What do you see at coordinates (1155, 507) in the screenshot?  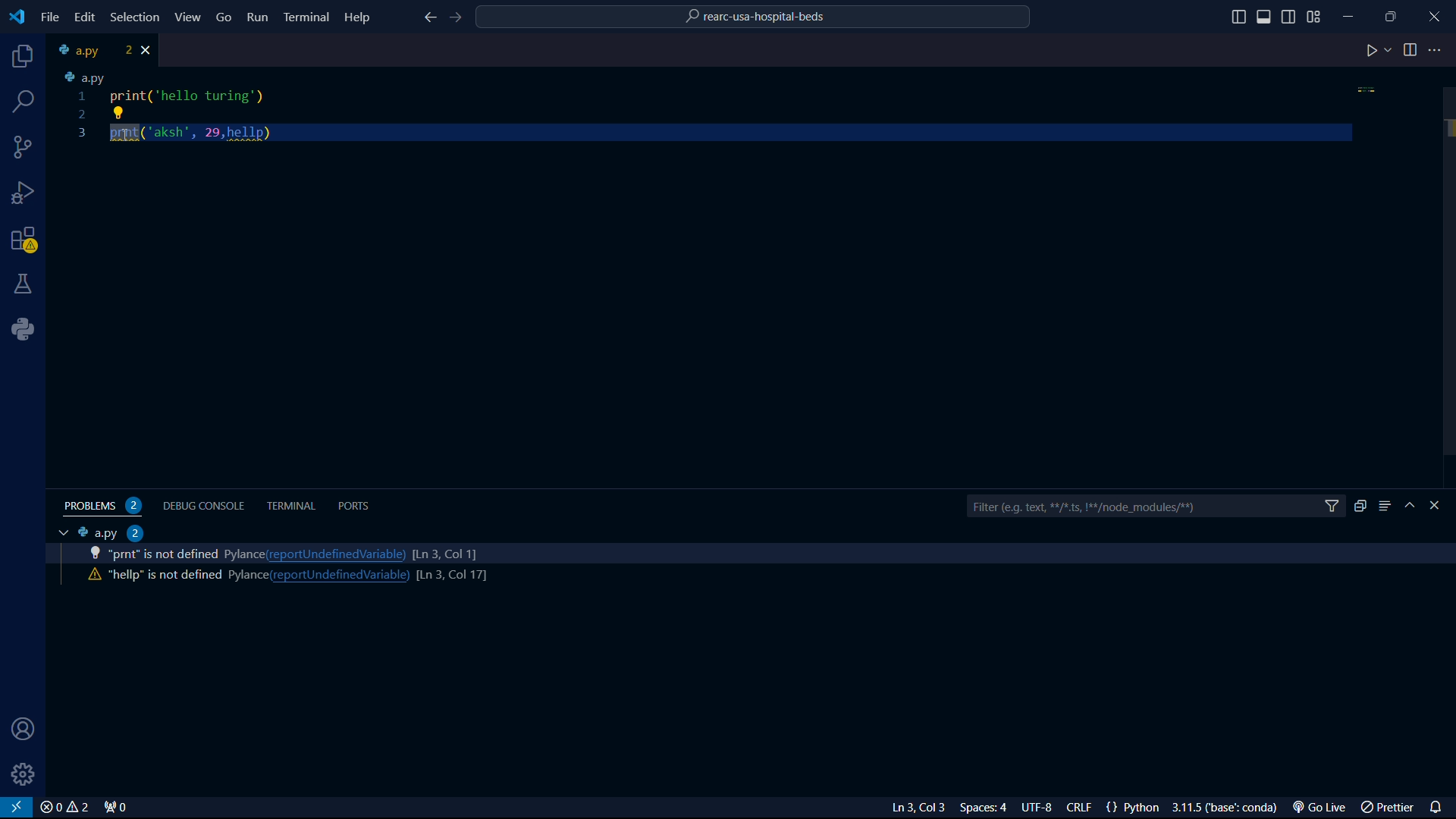 I see `filter bar` at bounding box center [1155, 507].